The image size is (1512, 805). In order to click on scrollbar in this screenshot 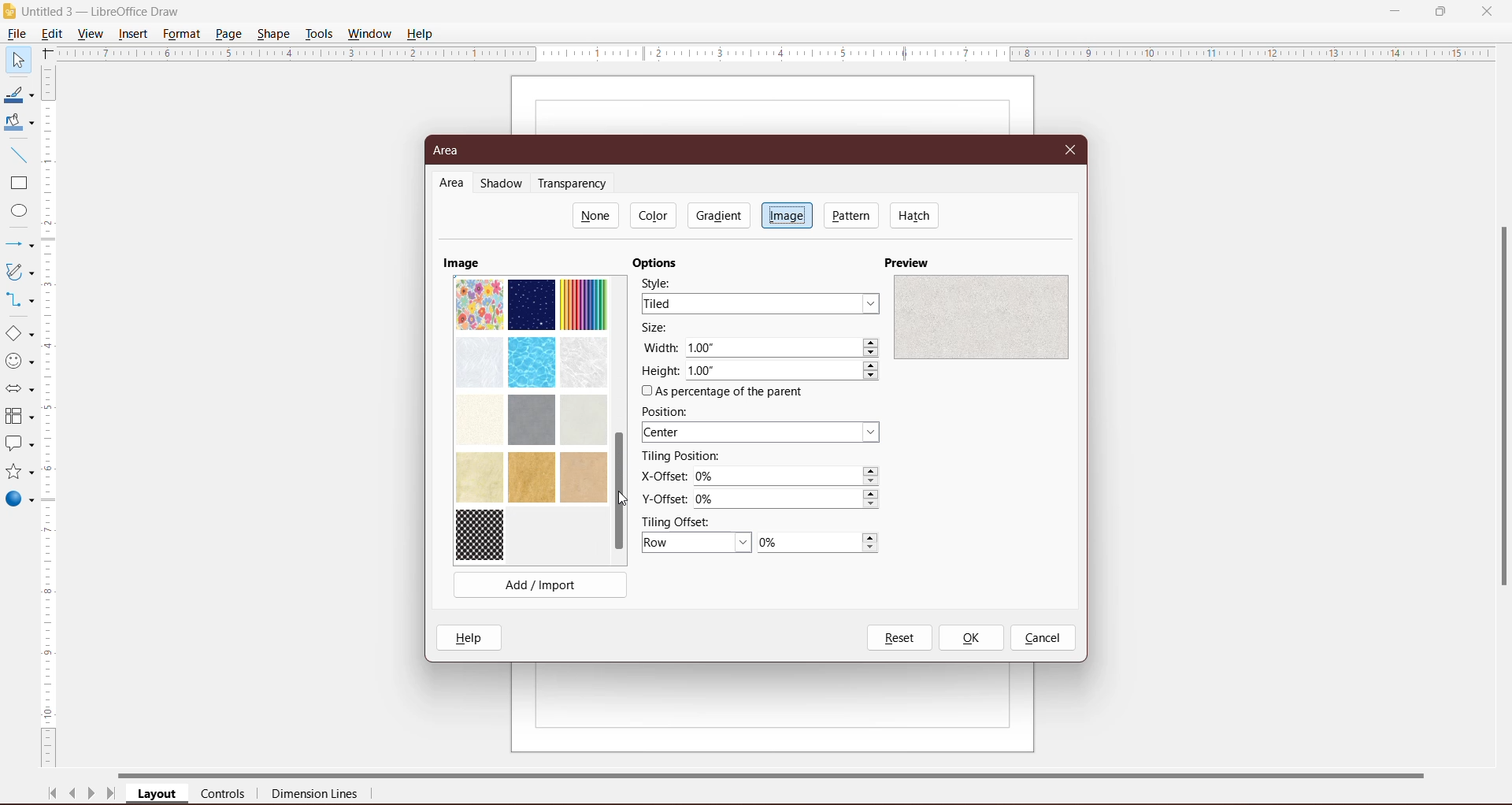, I will do `click(1499, 427)`.